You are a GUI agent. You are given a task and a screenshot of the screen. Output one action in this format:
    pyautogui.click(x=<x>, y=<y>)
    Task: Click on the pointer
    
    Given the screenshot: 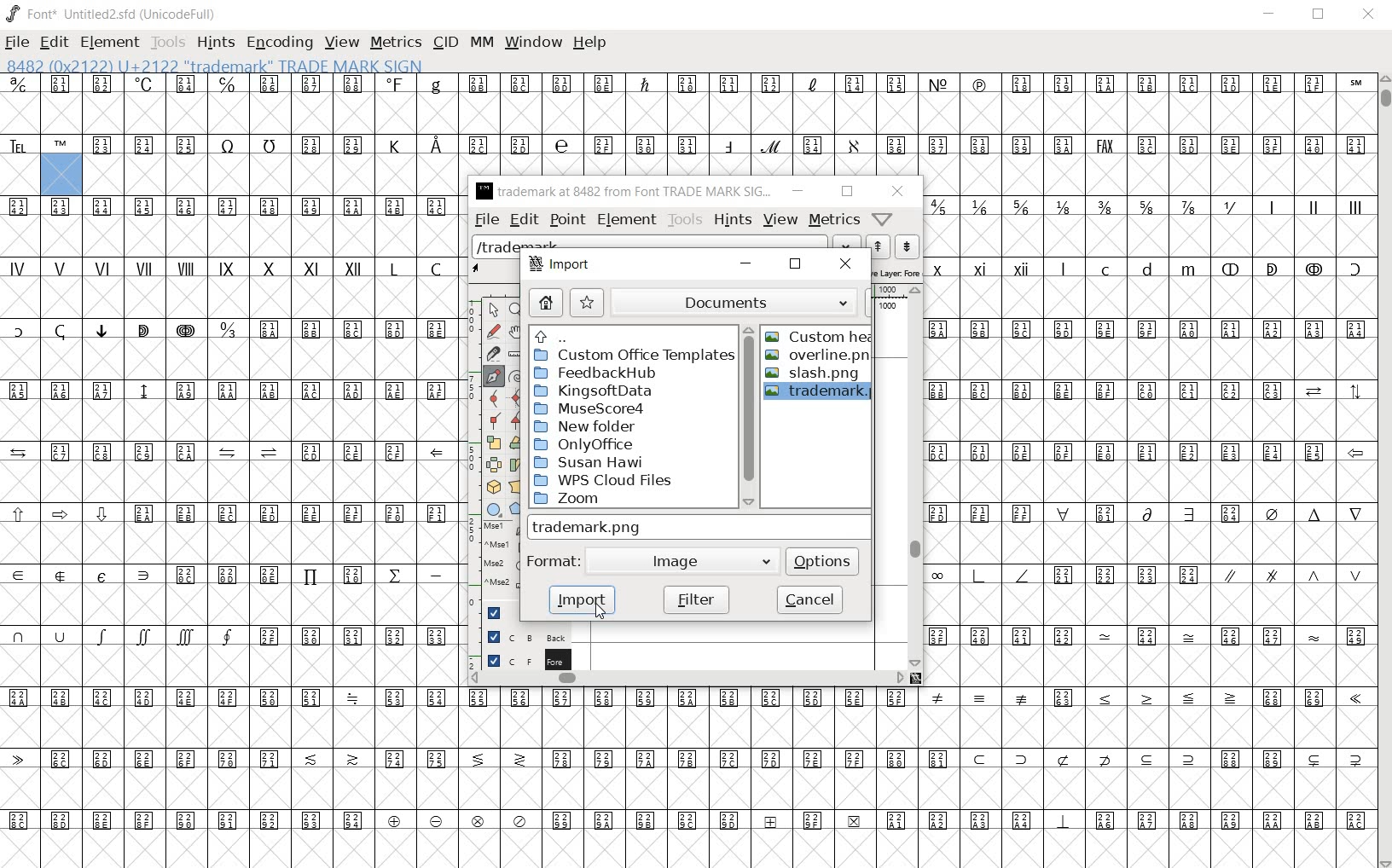 What is the action you would take?
    pyautogui.click(x=494, y=310)
    